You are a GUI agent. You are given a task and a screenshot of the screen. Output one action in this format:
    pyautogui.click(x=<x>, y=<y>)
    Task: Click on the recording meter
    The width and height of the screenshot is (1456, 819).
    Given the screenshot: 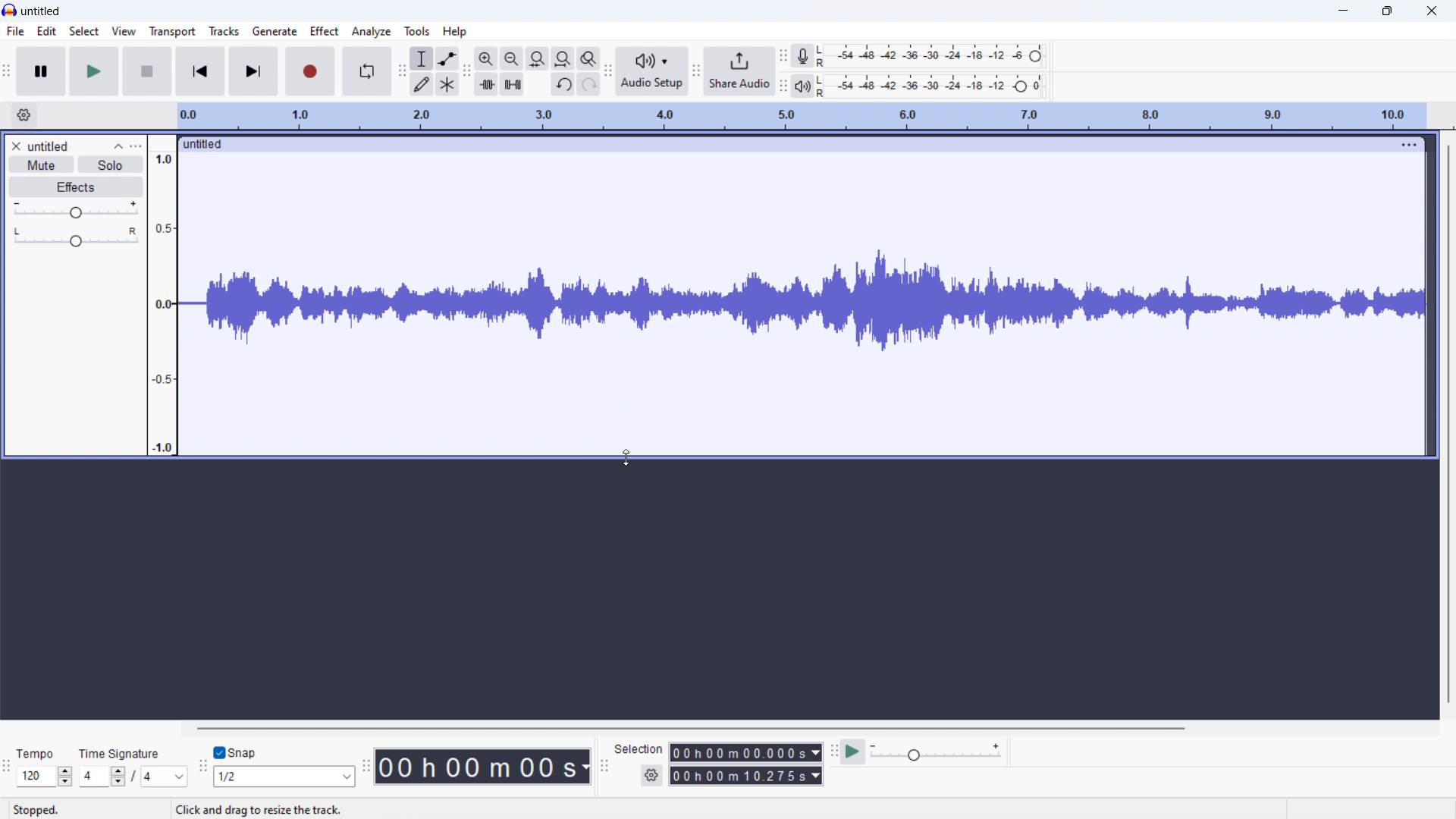 What is the action you would take?
    pyautogui.click(x=804, y=56)
    